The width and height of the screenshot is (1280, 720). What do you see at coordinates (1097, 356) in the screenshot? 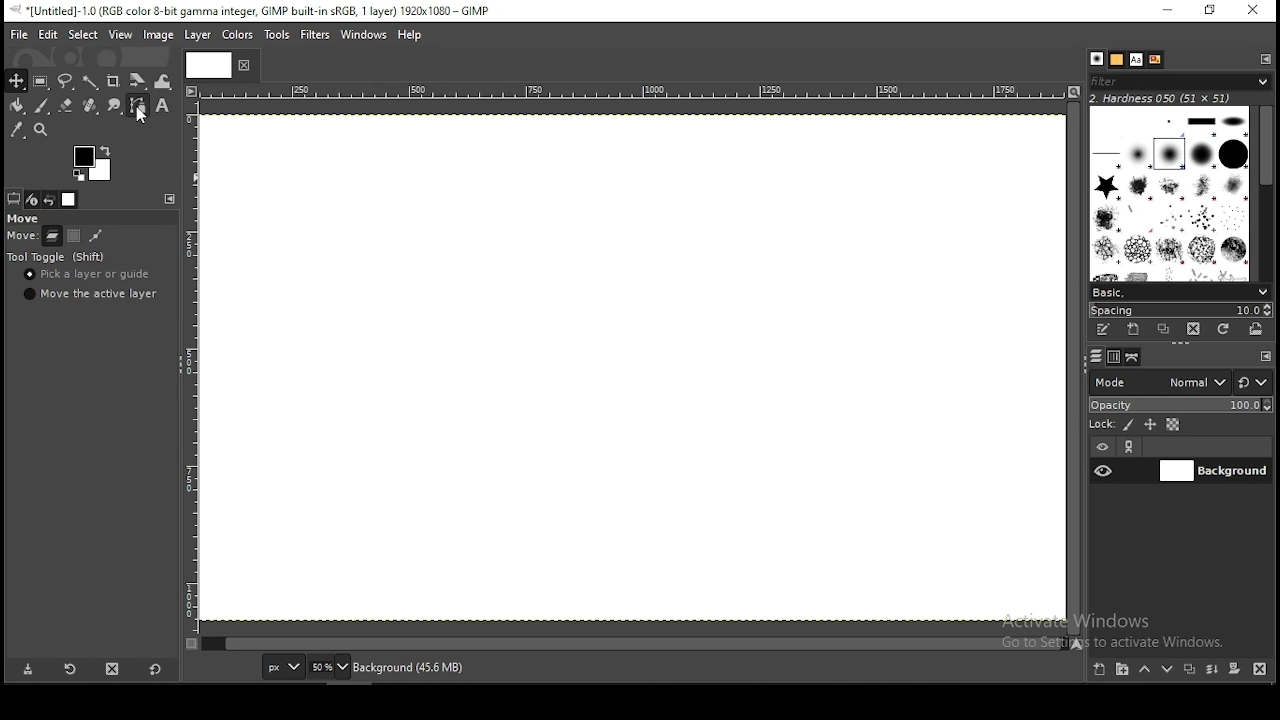
I see `layers` at bounding box center [1097, 356].